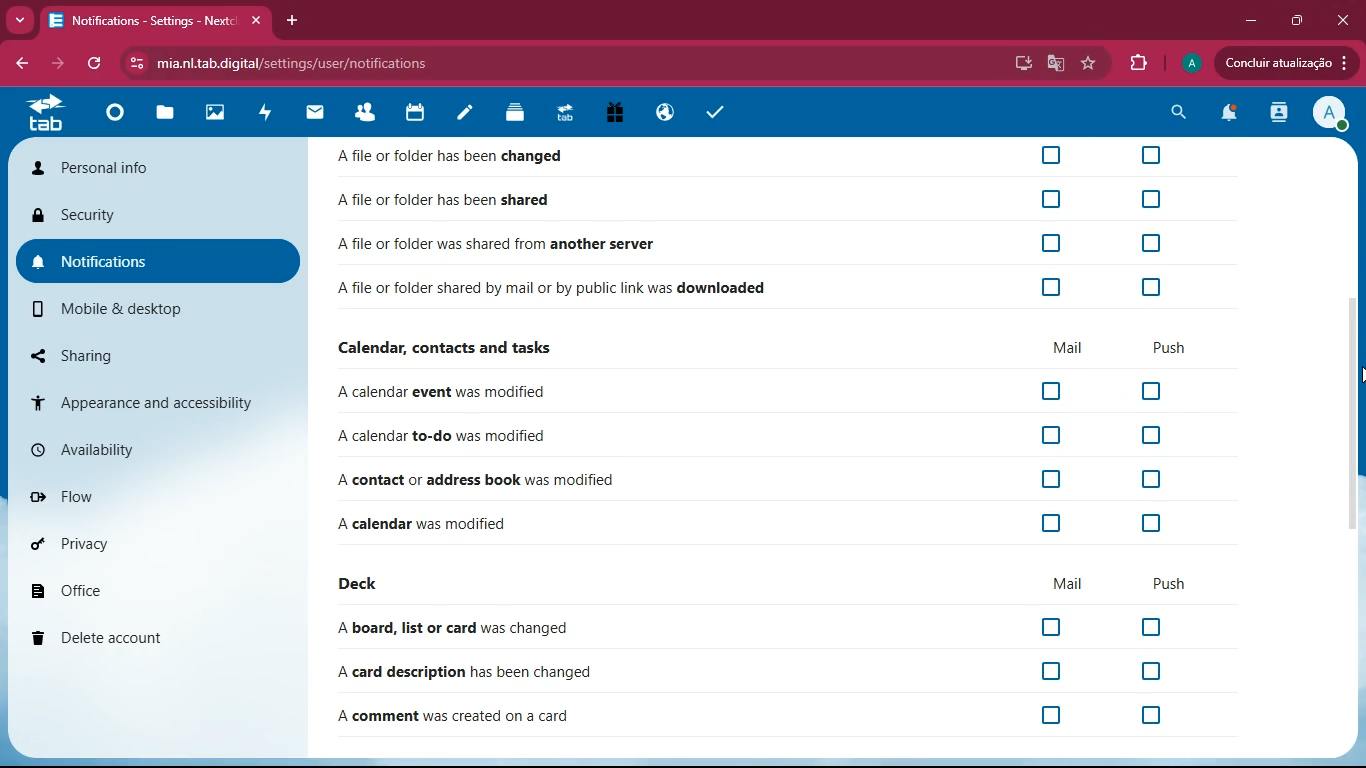  What do you see at coordinates (1155, 437) in the screenshot?
I see `off` at bounding box center [1155, 437].